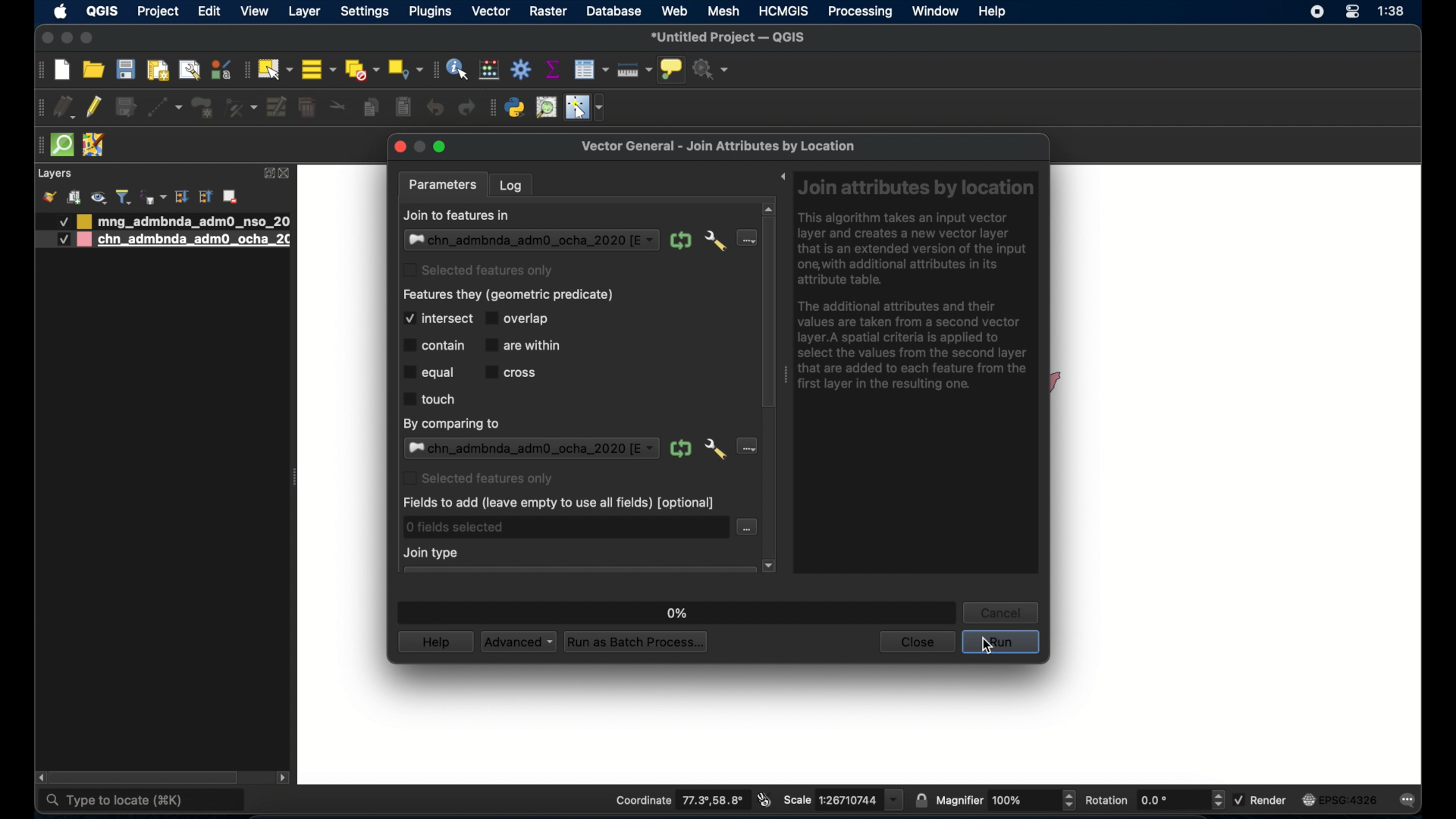 This screenshot has width=1456, height=819. I want to click on switches cursor to configurable pointer, so click(587, 108).